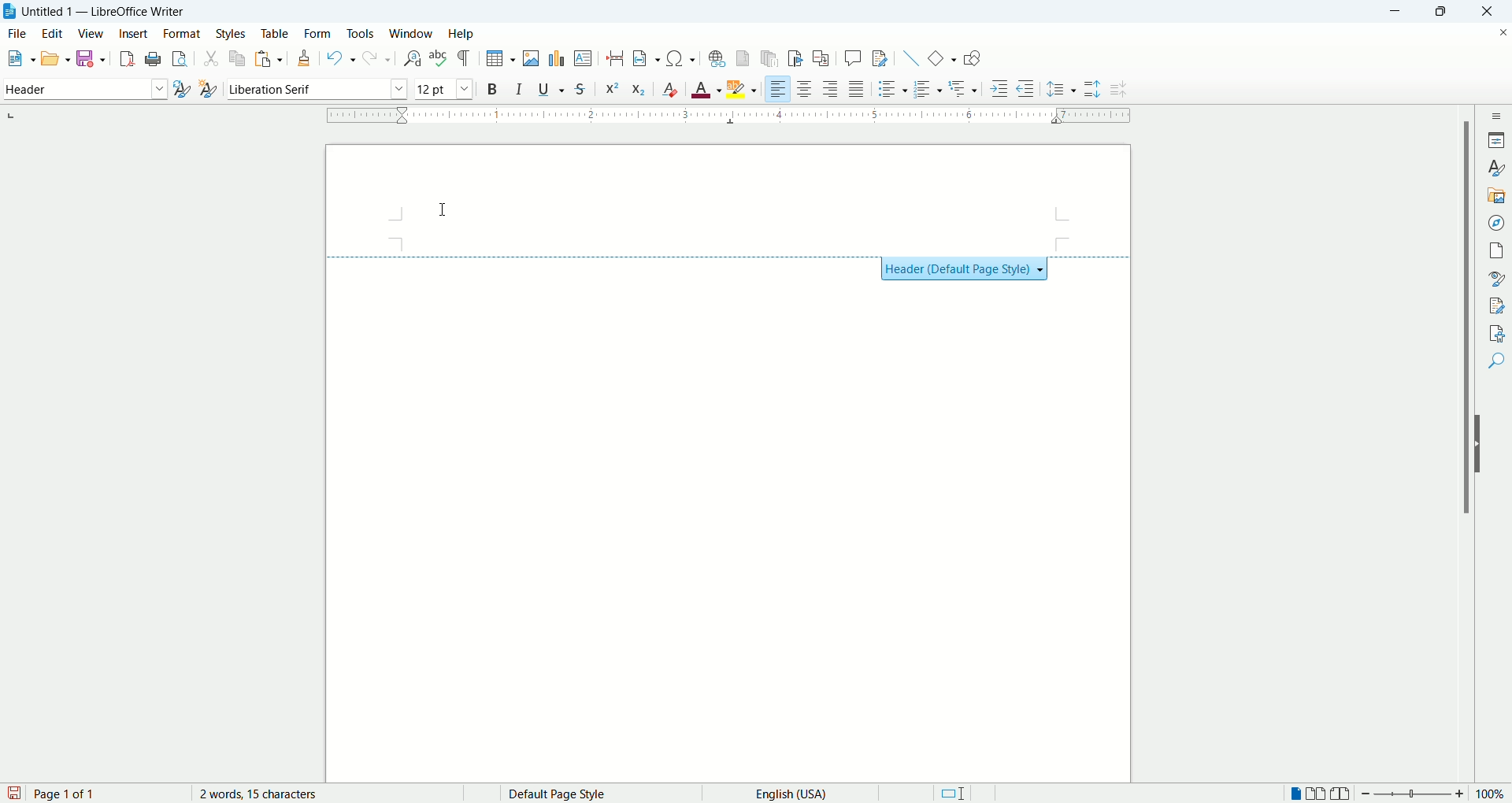 The image size is (1512, 803). What do you see at coordinates (182, 58) in the screenshot?
I see `print preview` at bounding box center [182, 58].